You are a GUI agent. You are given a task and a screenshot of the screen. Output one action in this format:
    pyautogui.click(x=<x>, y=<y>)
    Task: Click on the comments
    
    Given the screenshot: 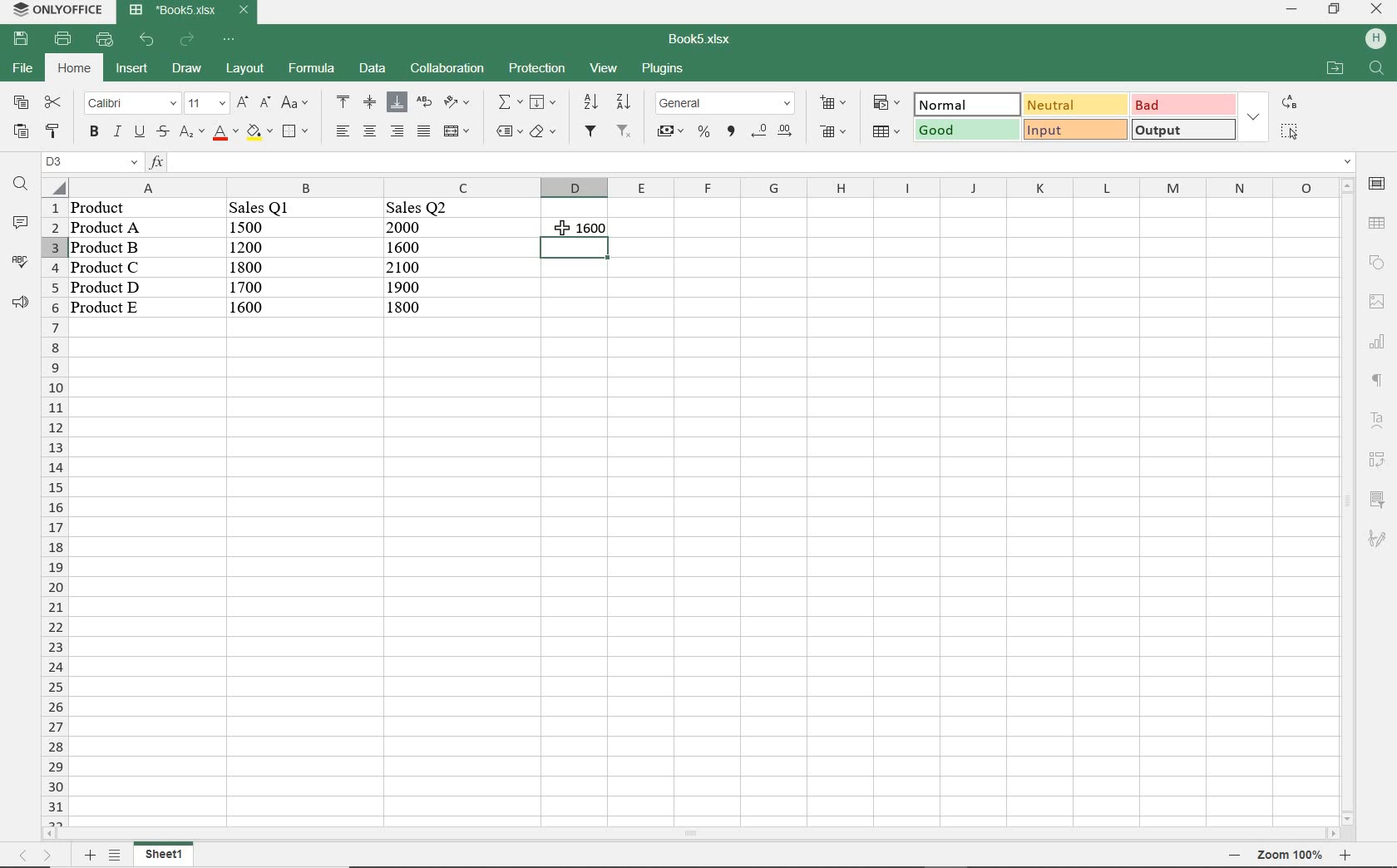 What is the action you would take?
    pyautogui.click(x=19, y=223)
    